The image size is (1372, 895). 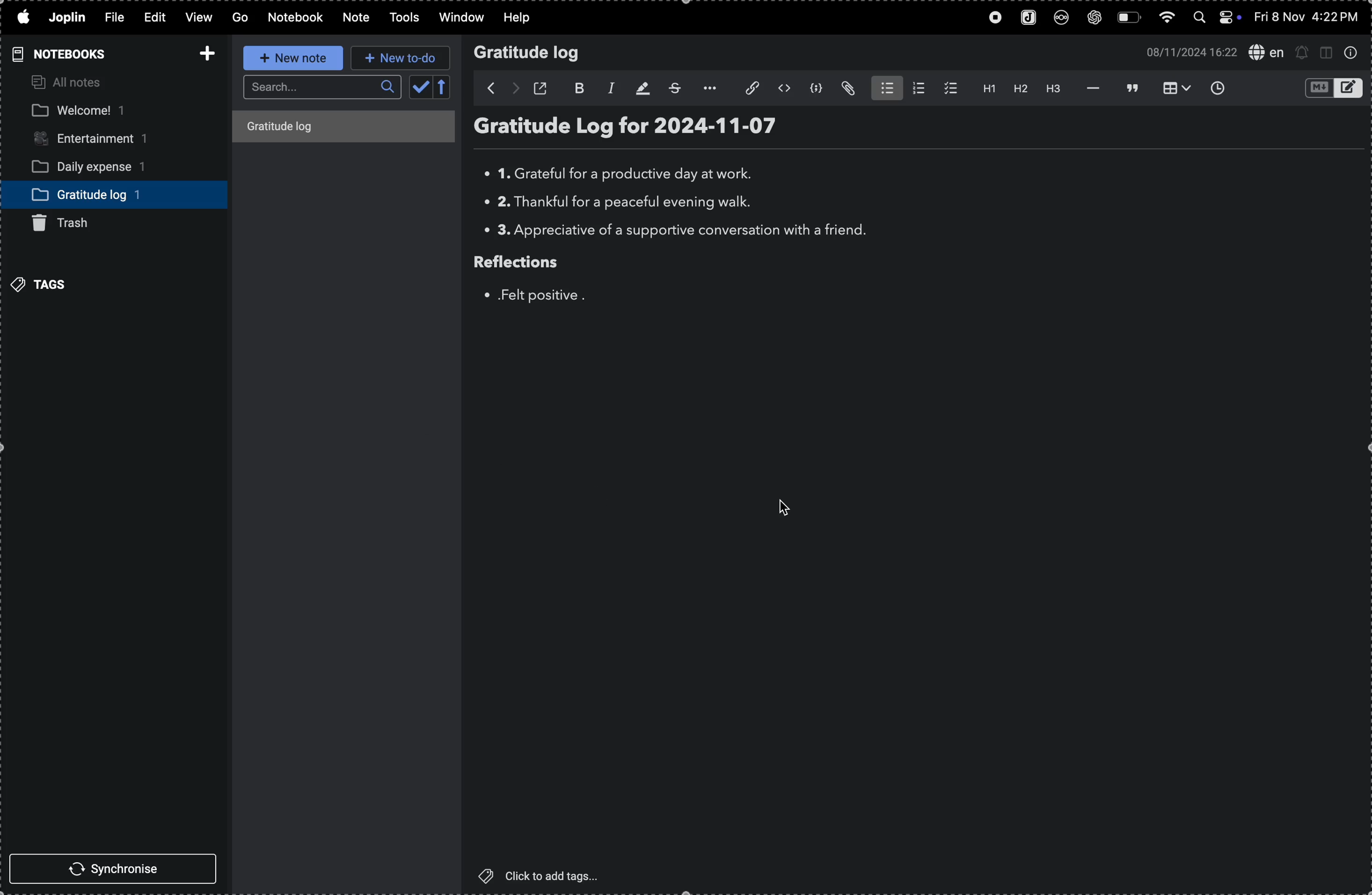 I want to click on gratitude log, so click(x=84, y=194).